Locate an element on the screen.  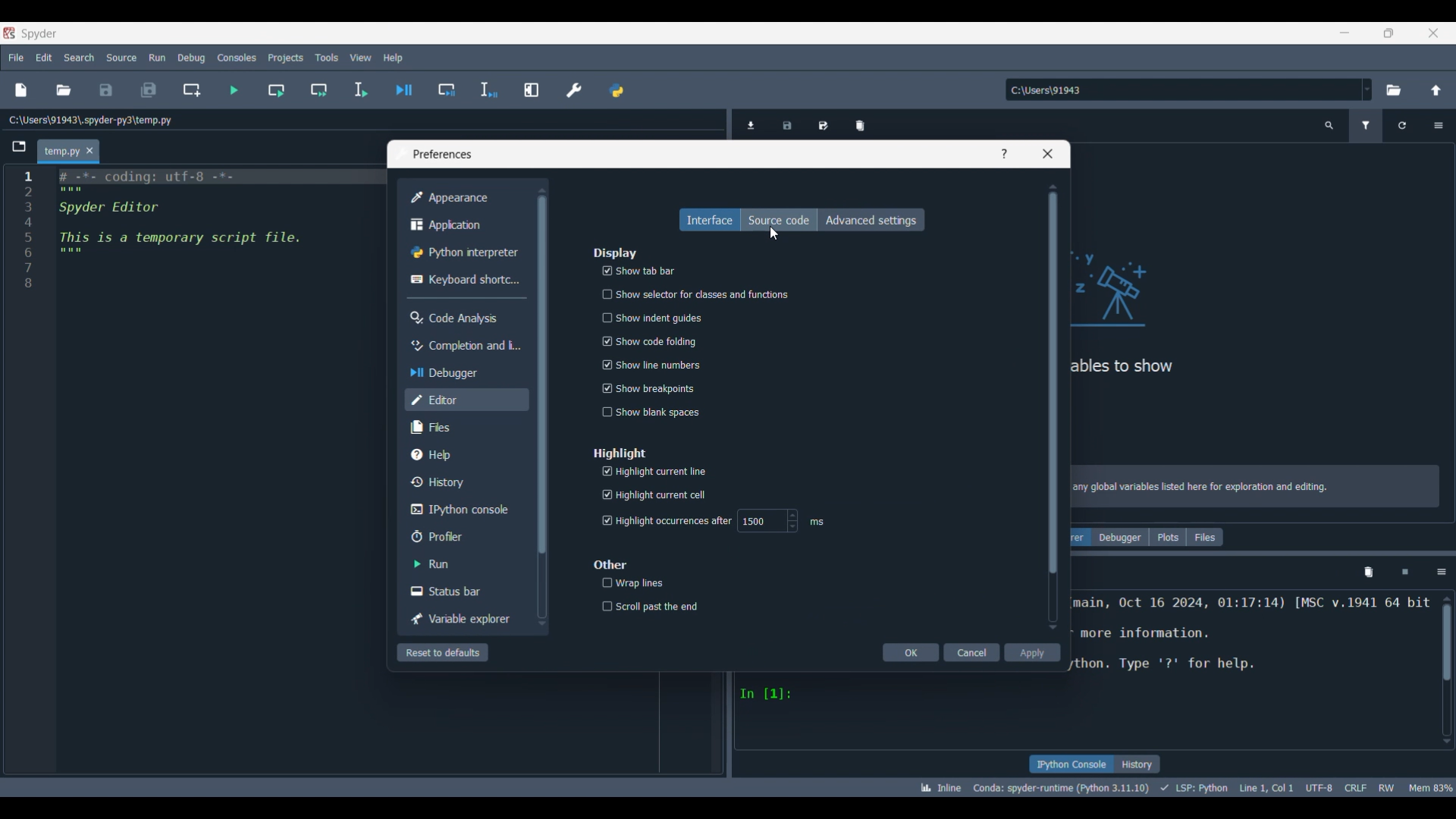
Window title is located at coordinates (441, 154).